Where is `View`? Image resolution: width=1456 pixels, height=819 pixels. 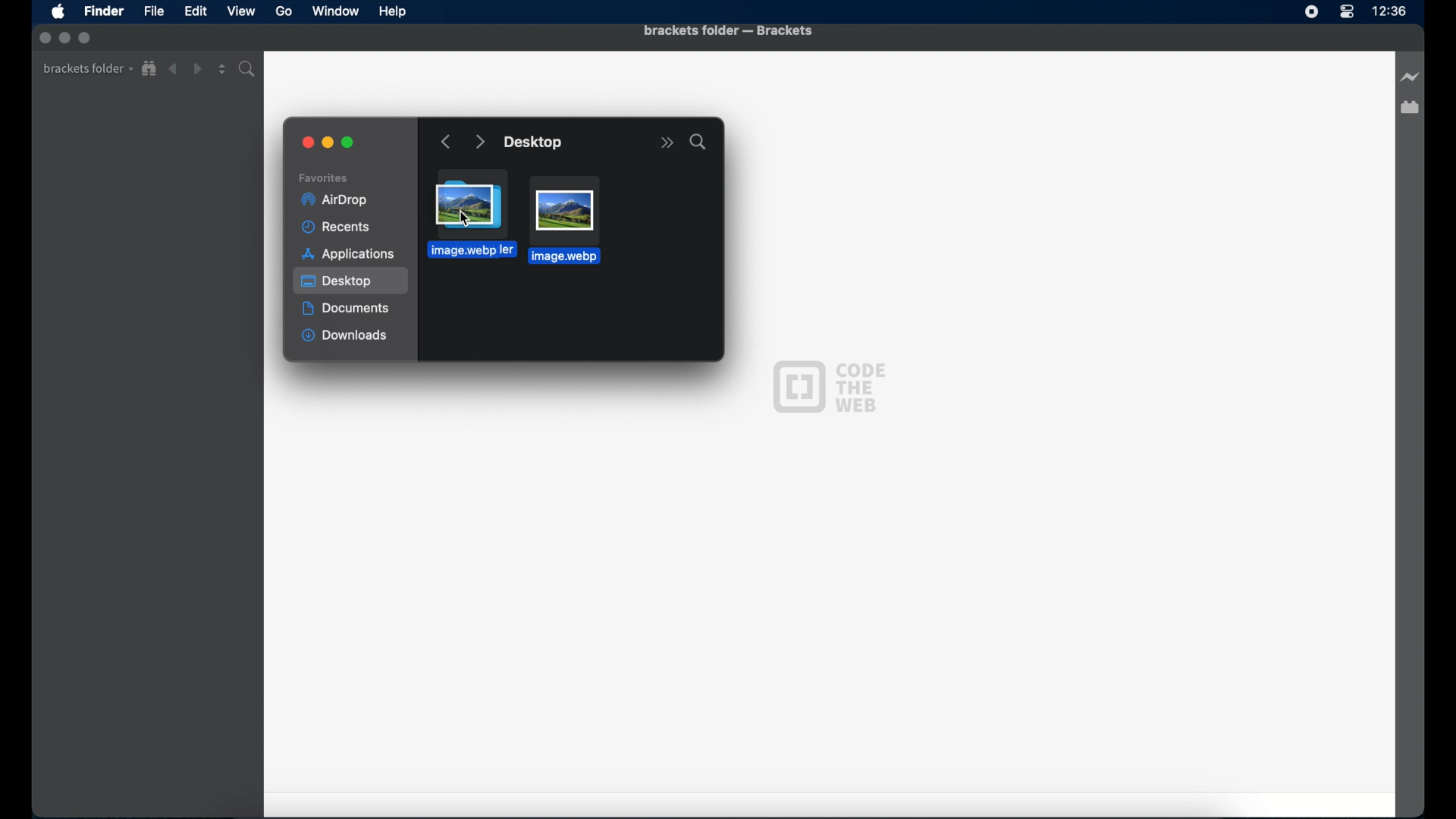
View is located at coordinates (241, 11).